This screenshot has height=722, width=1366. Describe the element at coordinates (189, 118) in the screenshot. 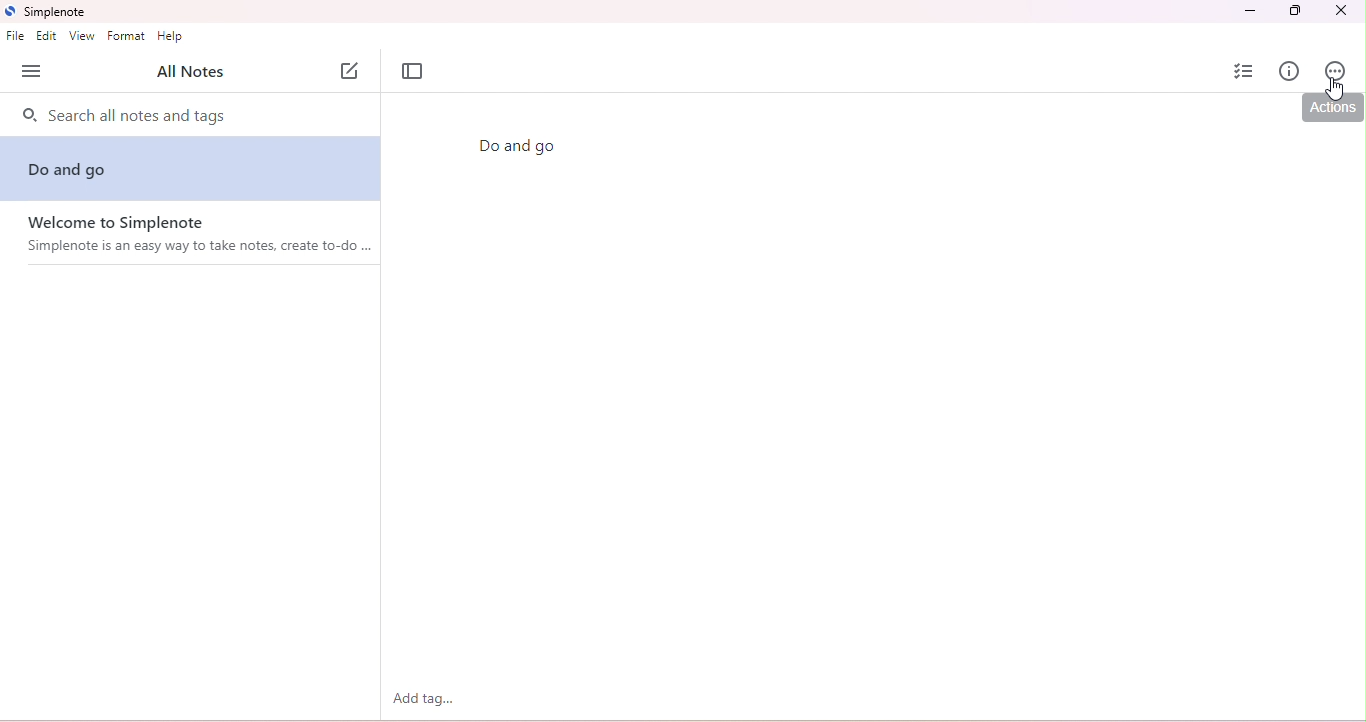

I see `search notes and tags` at that location.